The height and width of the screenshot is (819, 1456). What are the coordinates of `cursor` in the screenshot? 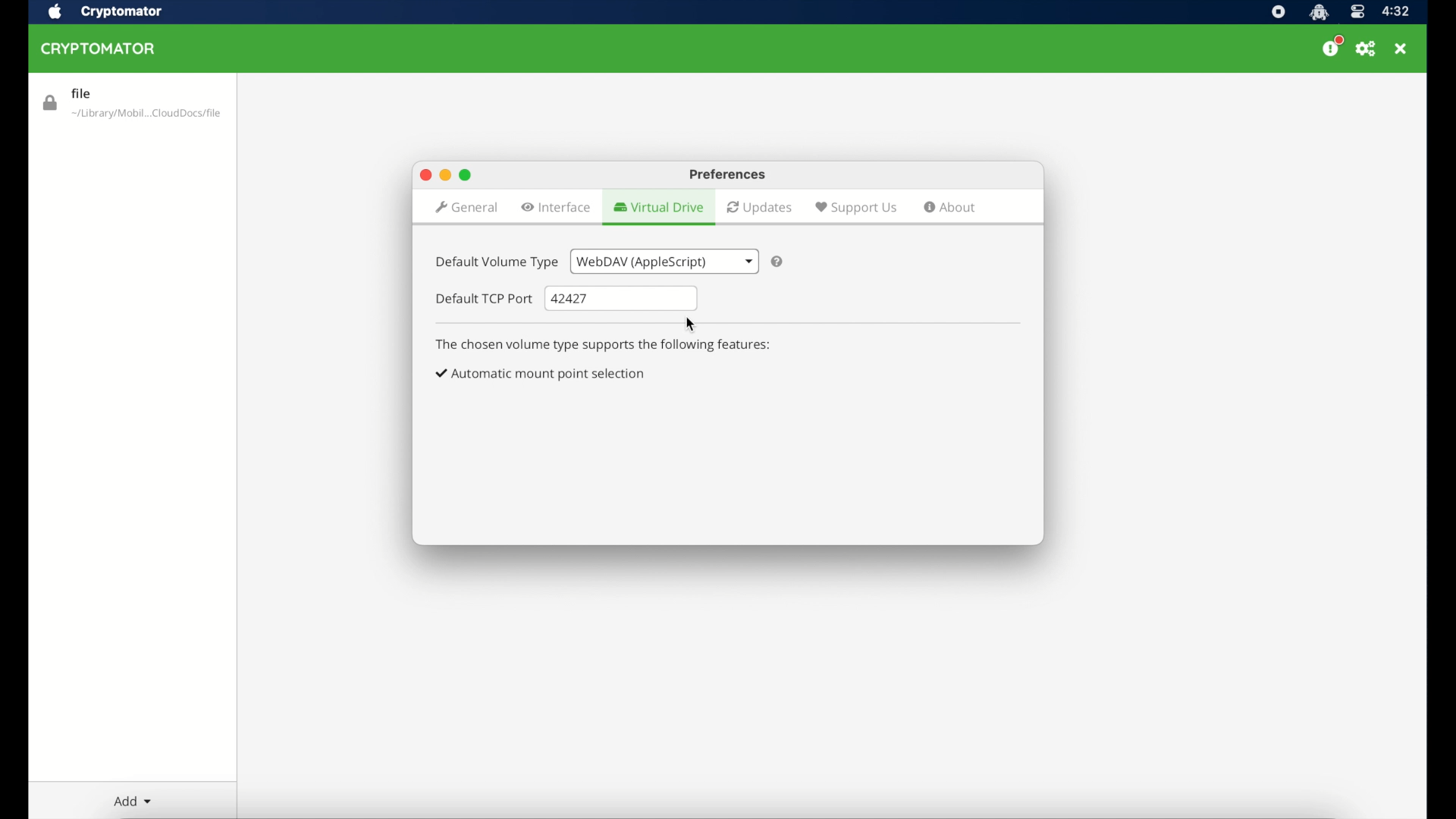 It's located at (693, 325).